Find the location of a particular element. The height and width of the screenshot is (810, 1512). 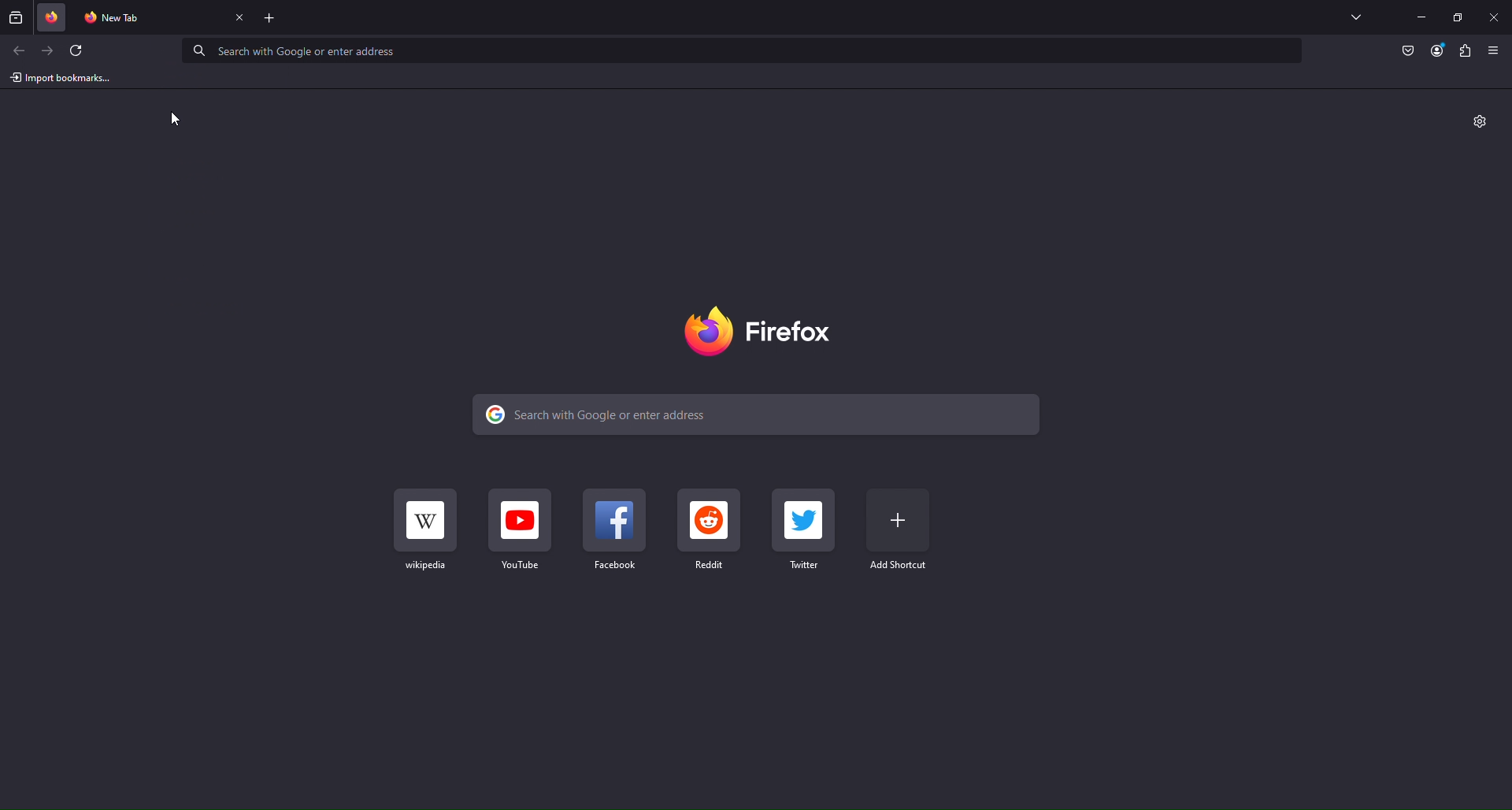

Settings is located at coordinates (1480, 123).